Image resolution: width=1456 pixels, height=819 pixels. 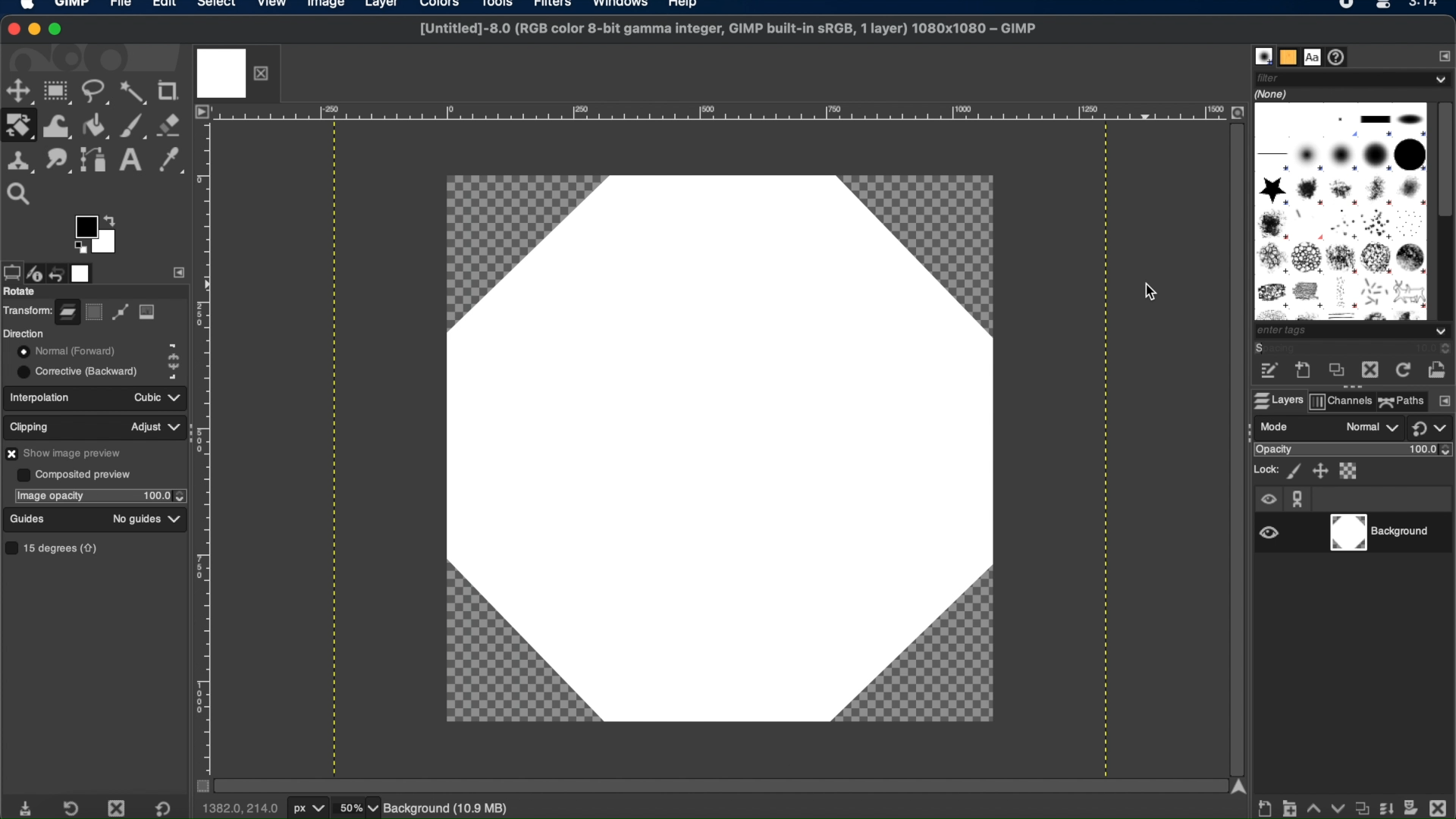 What do you see at coordinates (379, 6) in the screenshot?
I see `layer` at bounding box center [379, 6].